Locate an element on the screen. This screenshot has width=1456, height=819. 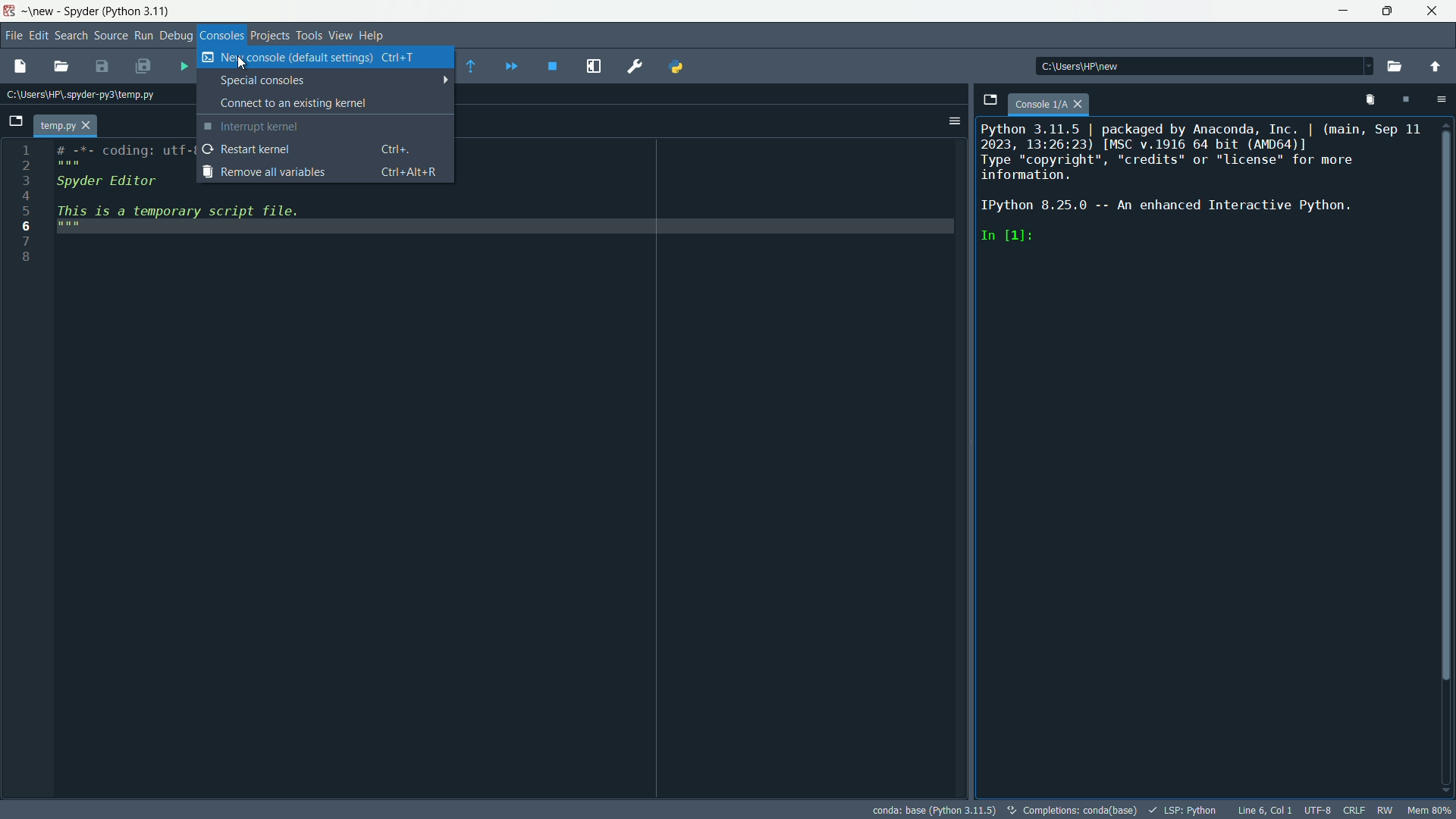
Crusor is located at coordinates (244, 63).